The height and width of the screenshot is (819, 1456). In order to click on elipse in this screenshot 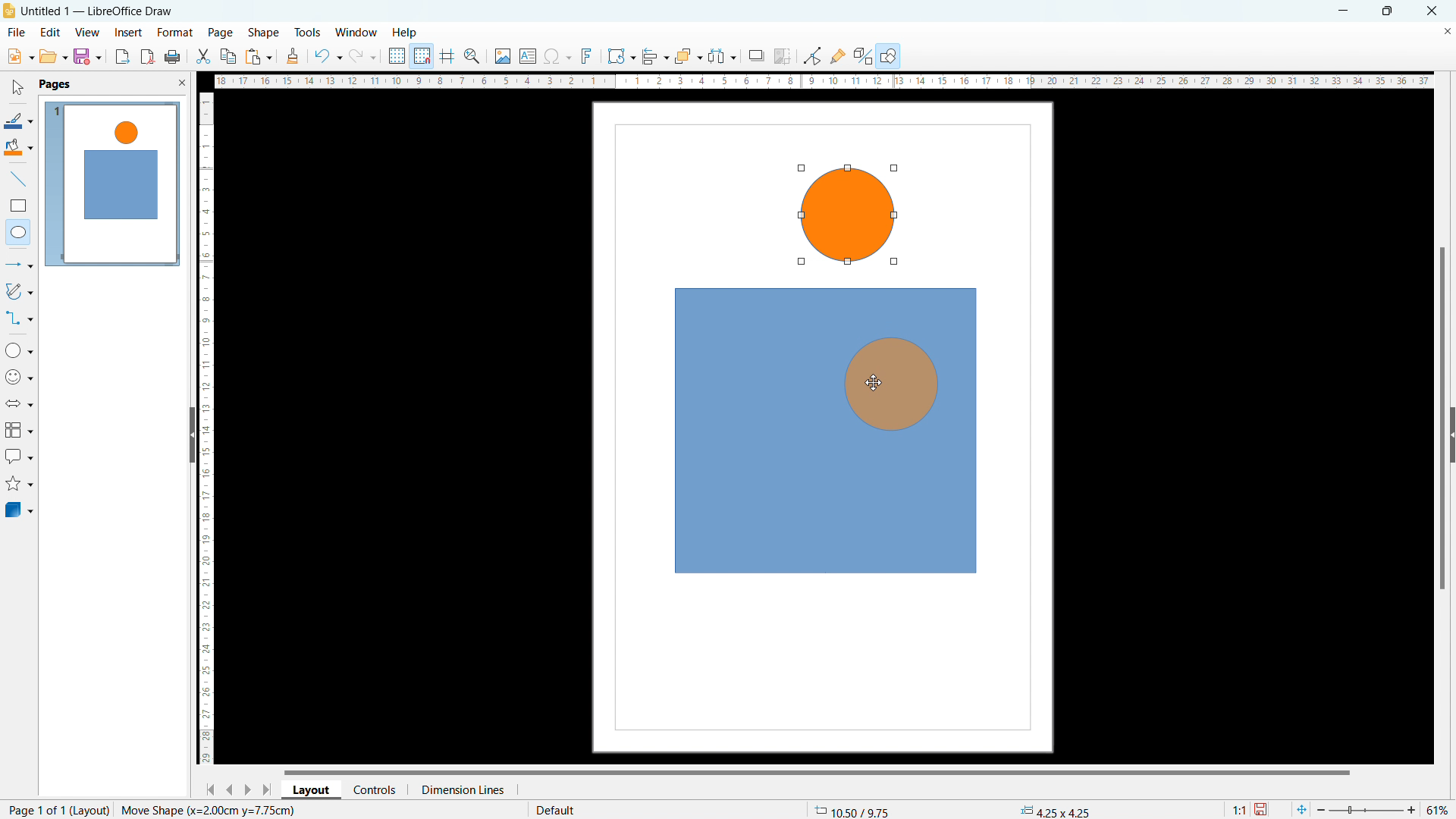, I will do `click(18, 231)`.